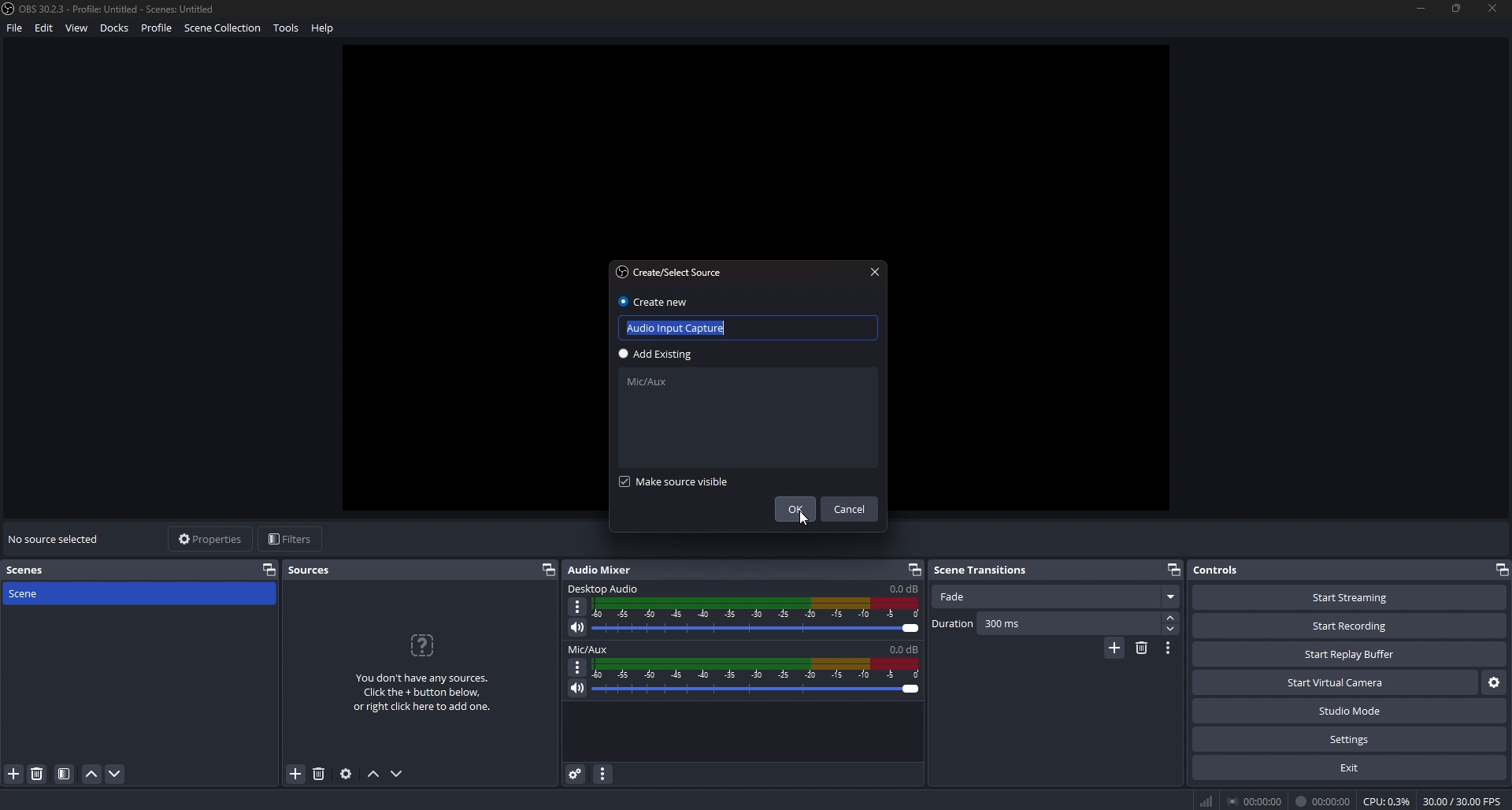  What do you see at coordinates (45, 31) in the screenshot?
I see `Edit` at bounding box center [45, 31].